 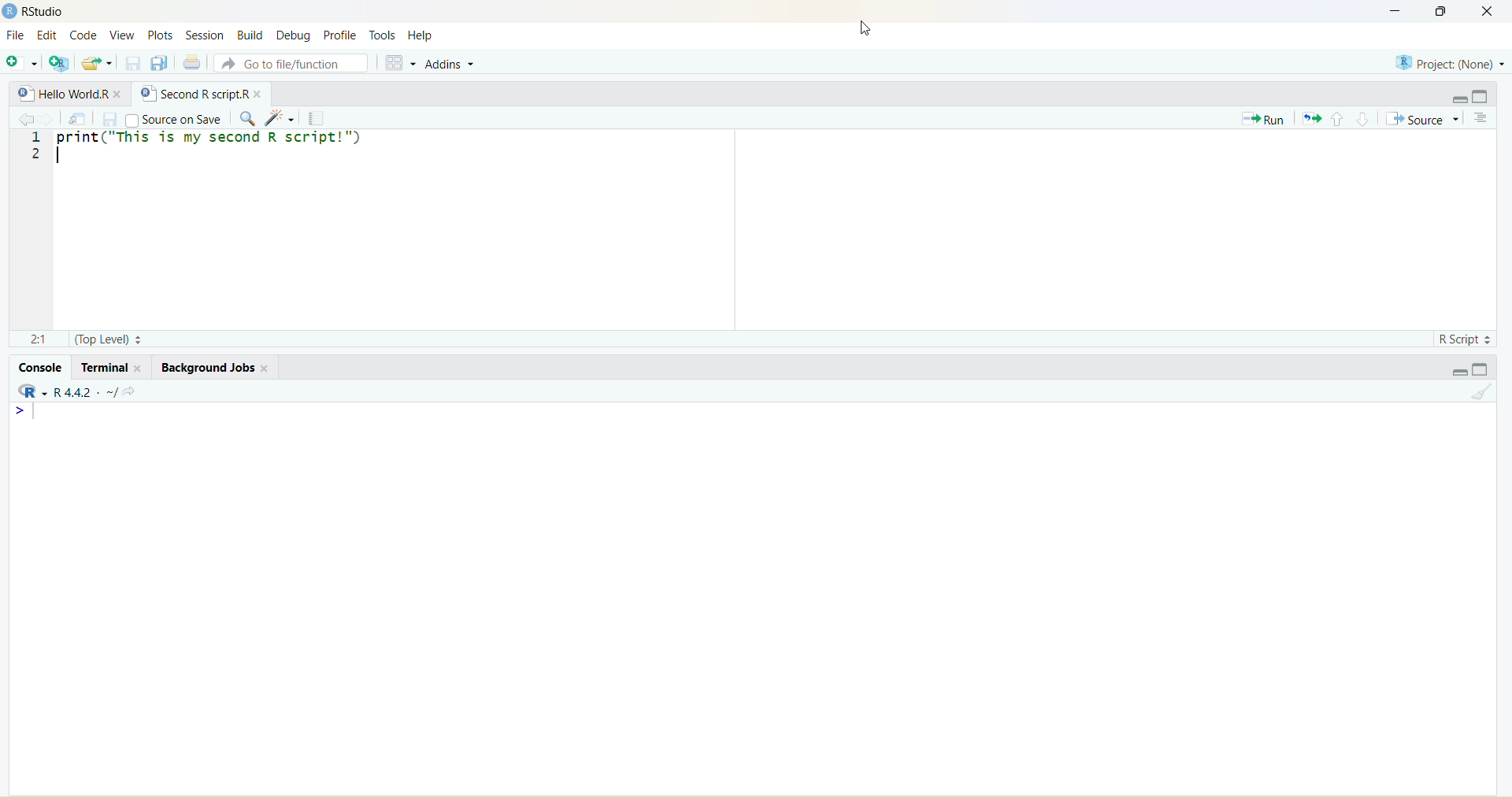 I want to click on 1 2, so click(x=38, y=150).